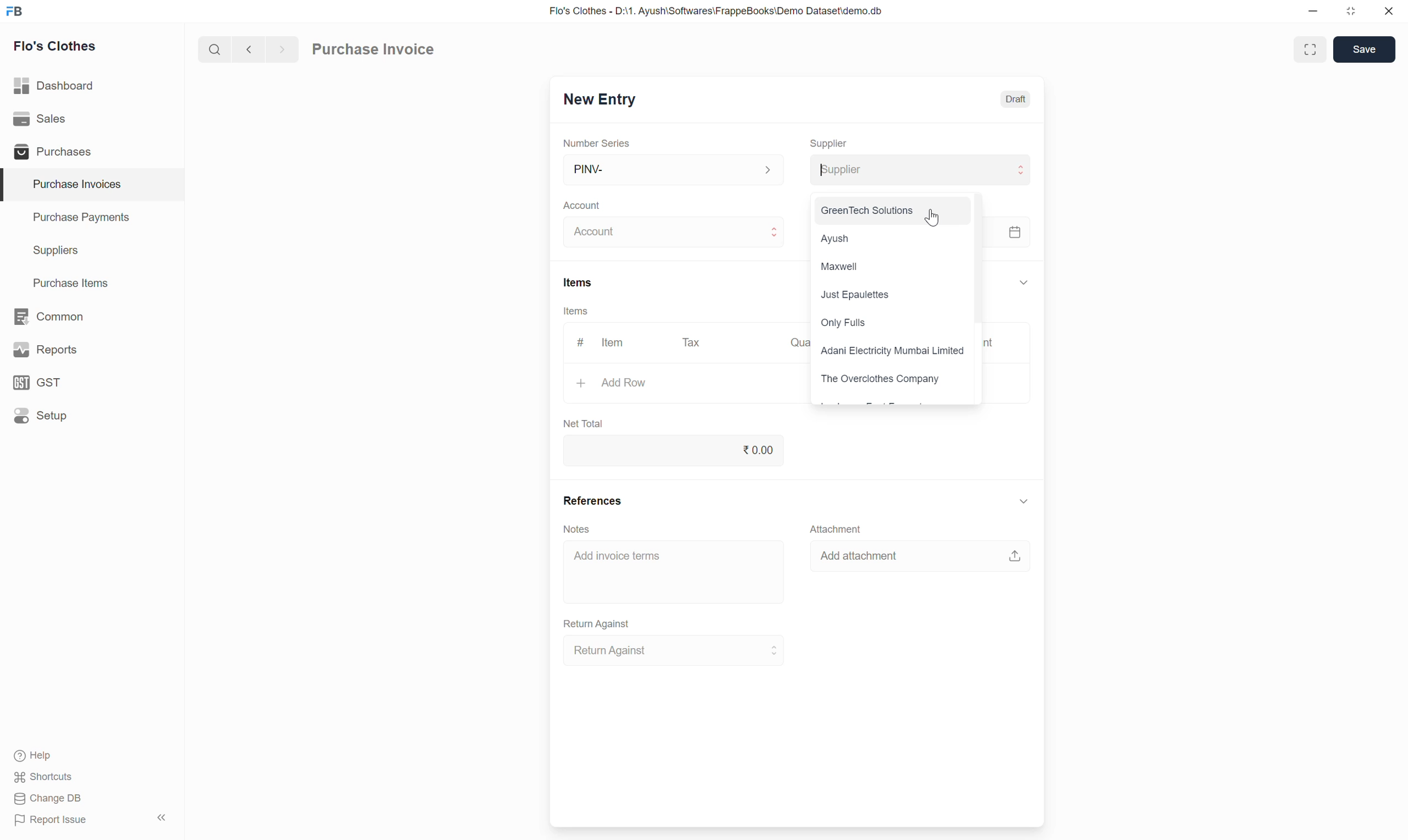 Image resolution: width=1408 pixels, height=840 pixels. I want to click on Minimize, so click(1313, 11).